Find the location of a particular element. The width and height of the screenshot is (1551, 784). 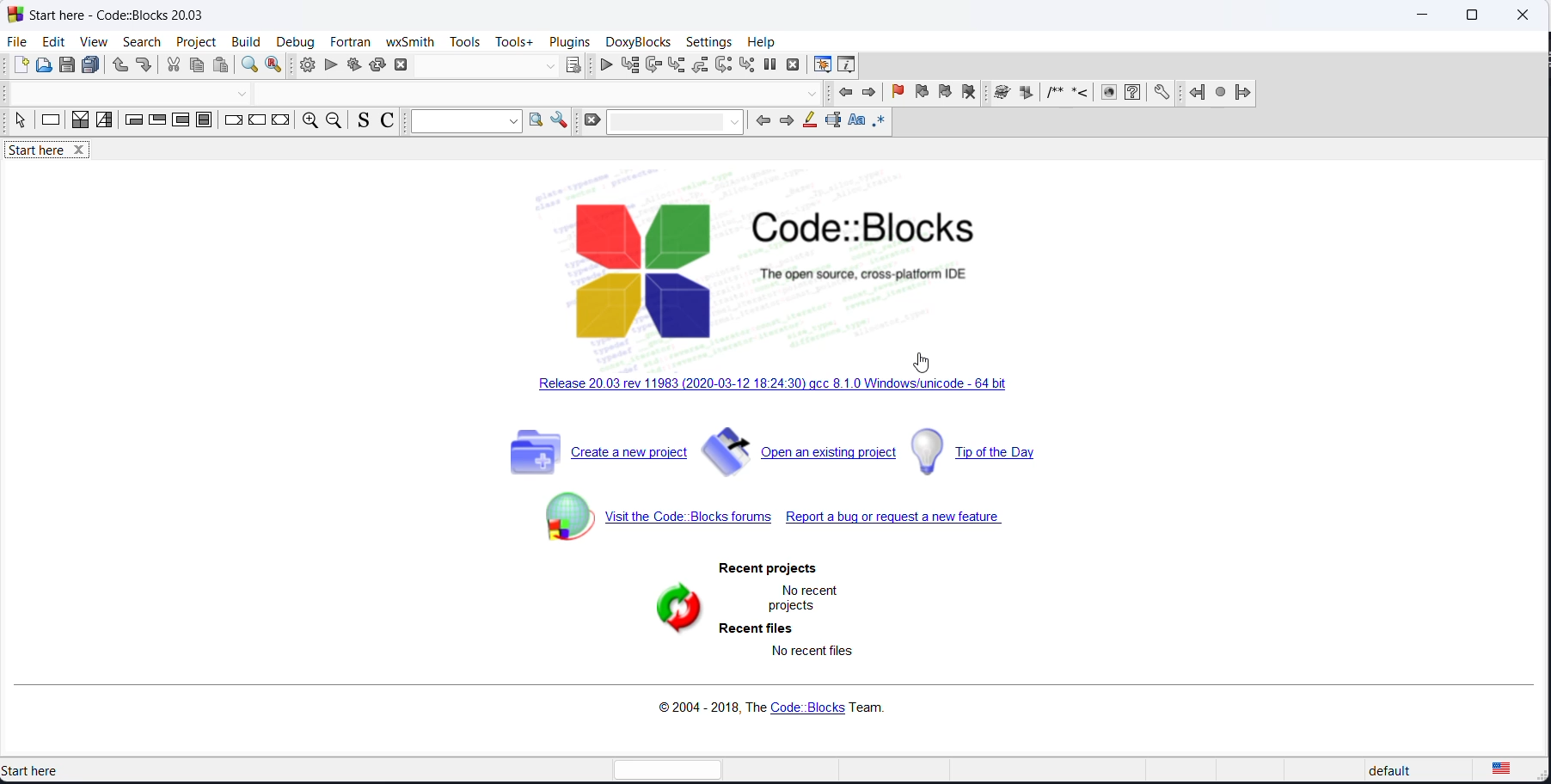

open is located at coordinates (45, 66).